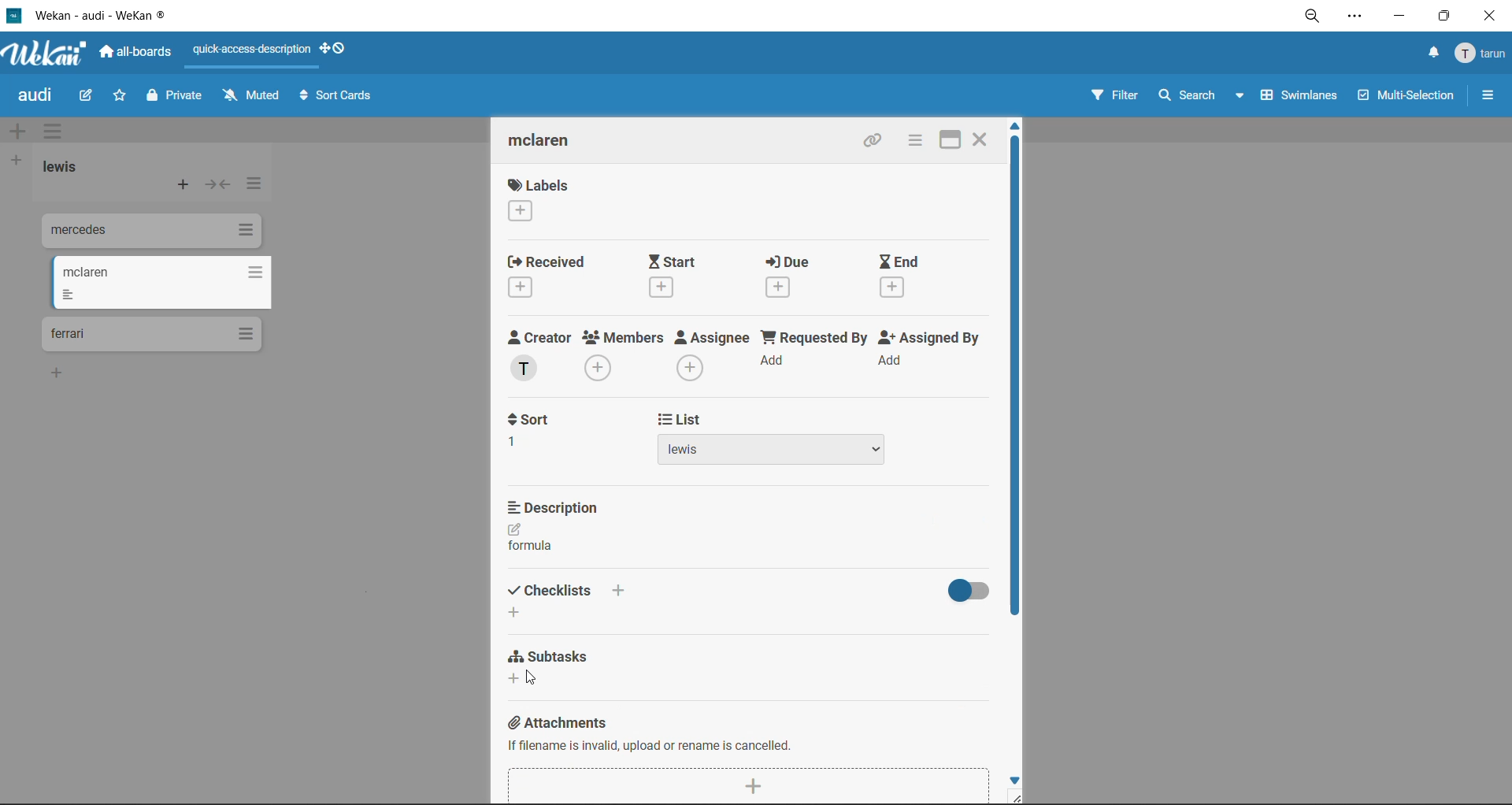 The height and width of the screenshot is (805, 1512). I want to click on show desktop drag handles, so click(336, 48).